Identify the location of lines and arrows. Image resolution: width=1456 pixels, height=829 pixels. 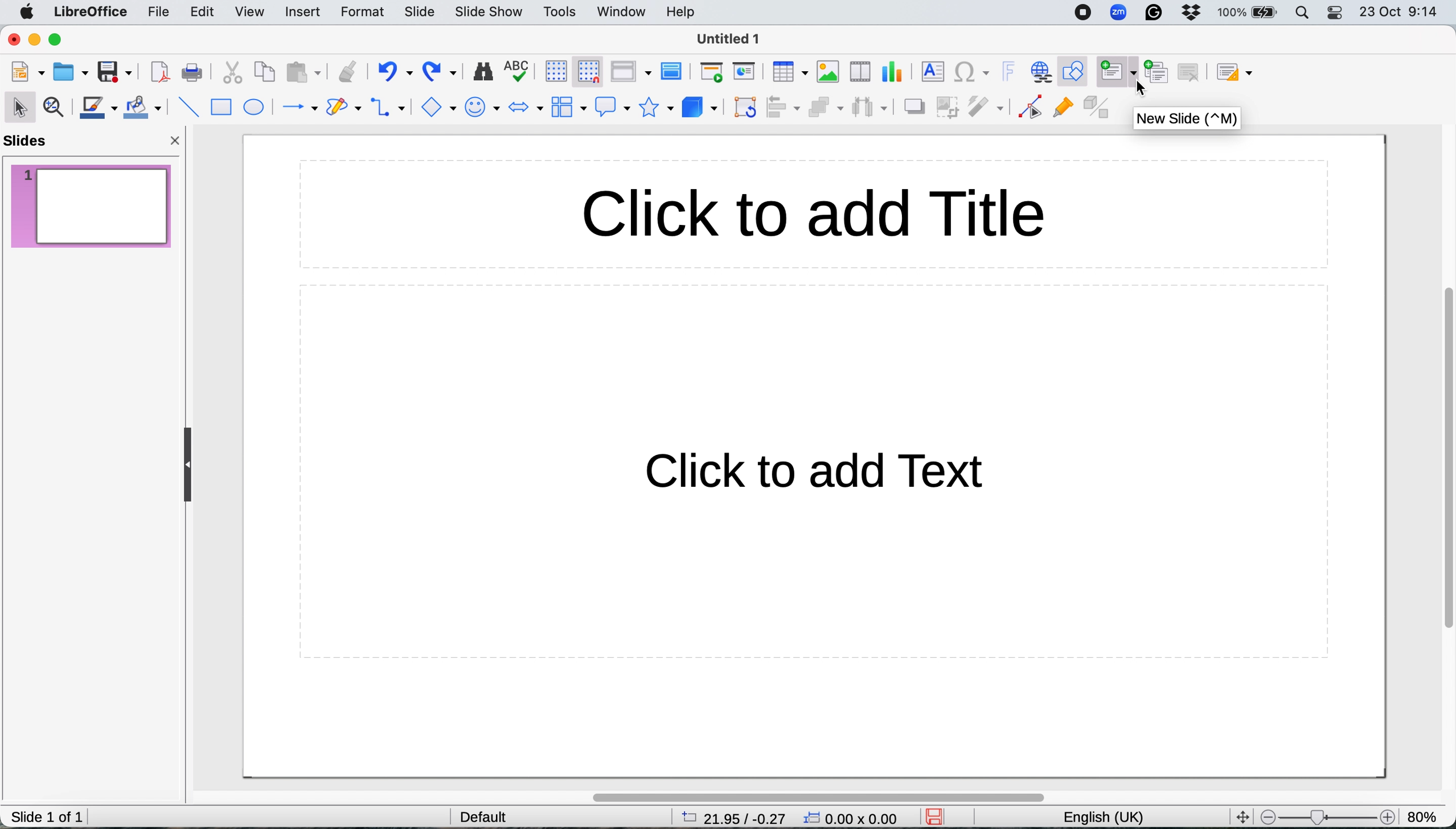
(296, 108).